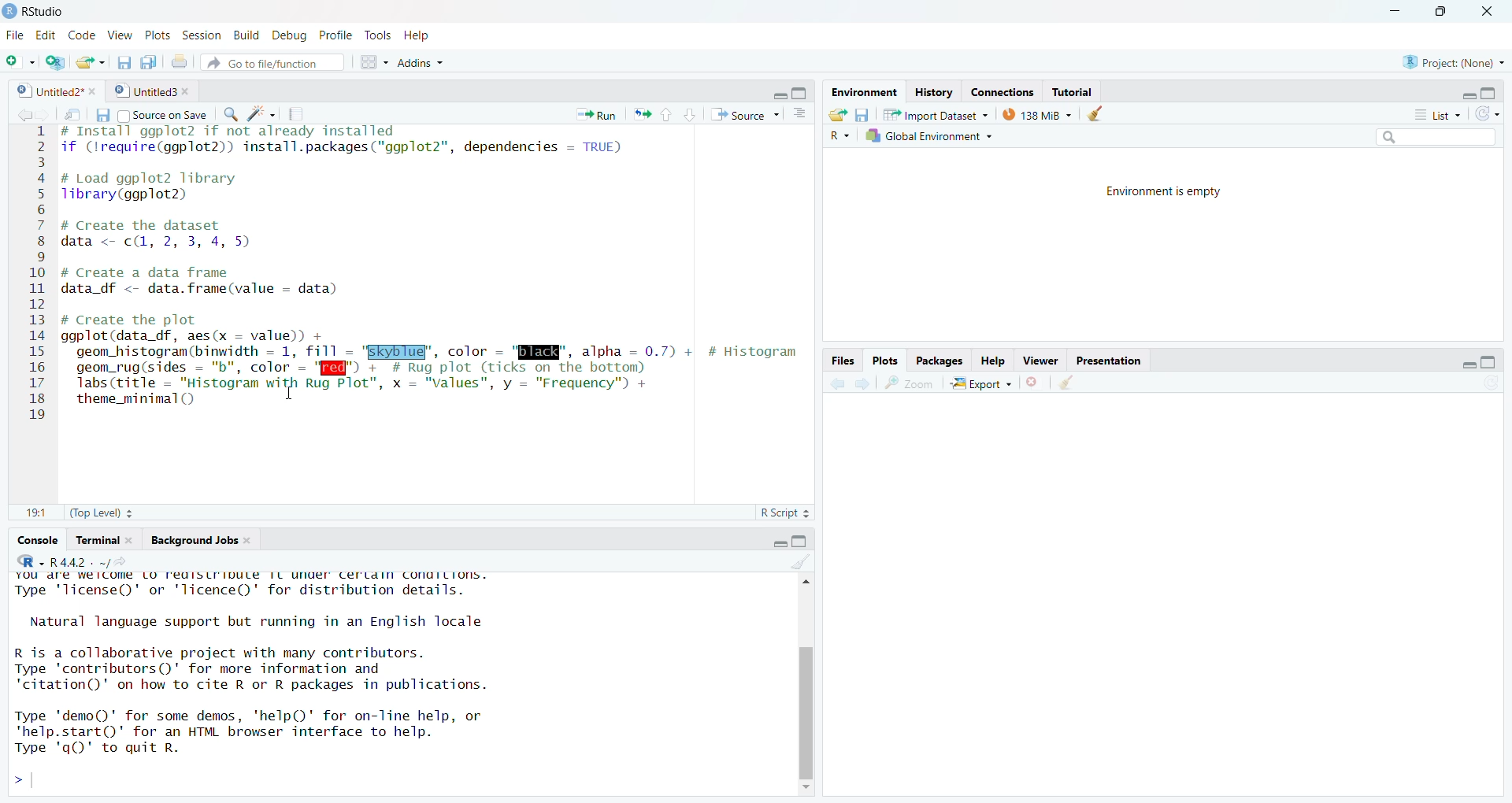 Image resolution: width=1512 pixels, height=803 pixels. Describe the element at coordinates (1433, 138) in the screenshot. I see `search` at that location.